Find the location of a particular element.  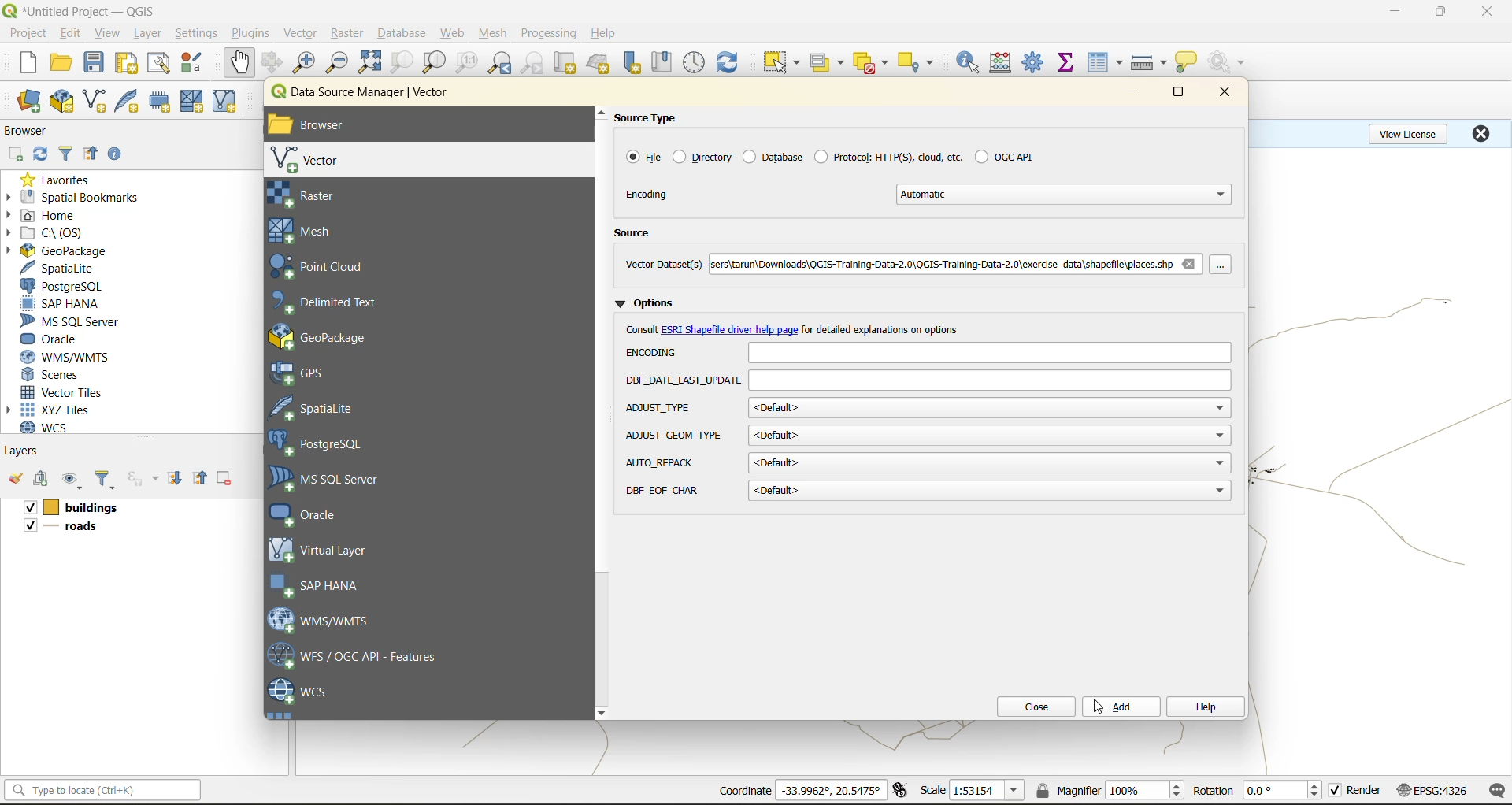

point cloud is located at coordinates (327, 268).